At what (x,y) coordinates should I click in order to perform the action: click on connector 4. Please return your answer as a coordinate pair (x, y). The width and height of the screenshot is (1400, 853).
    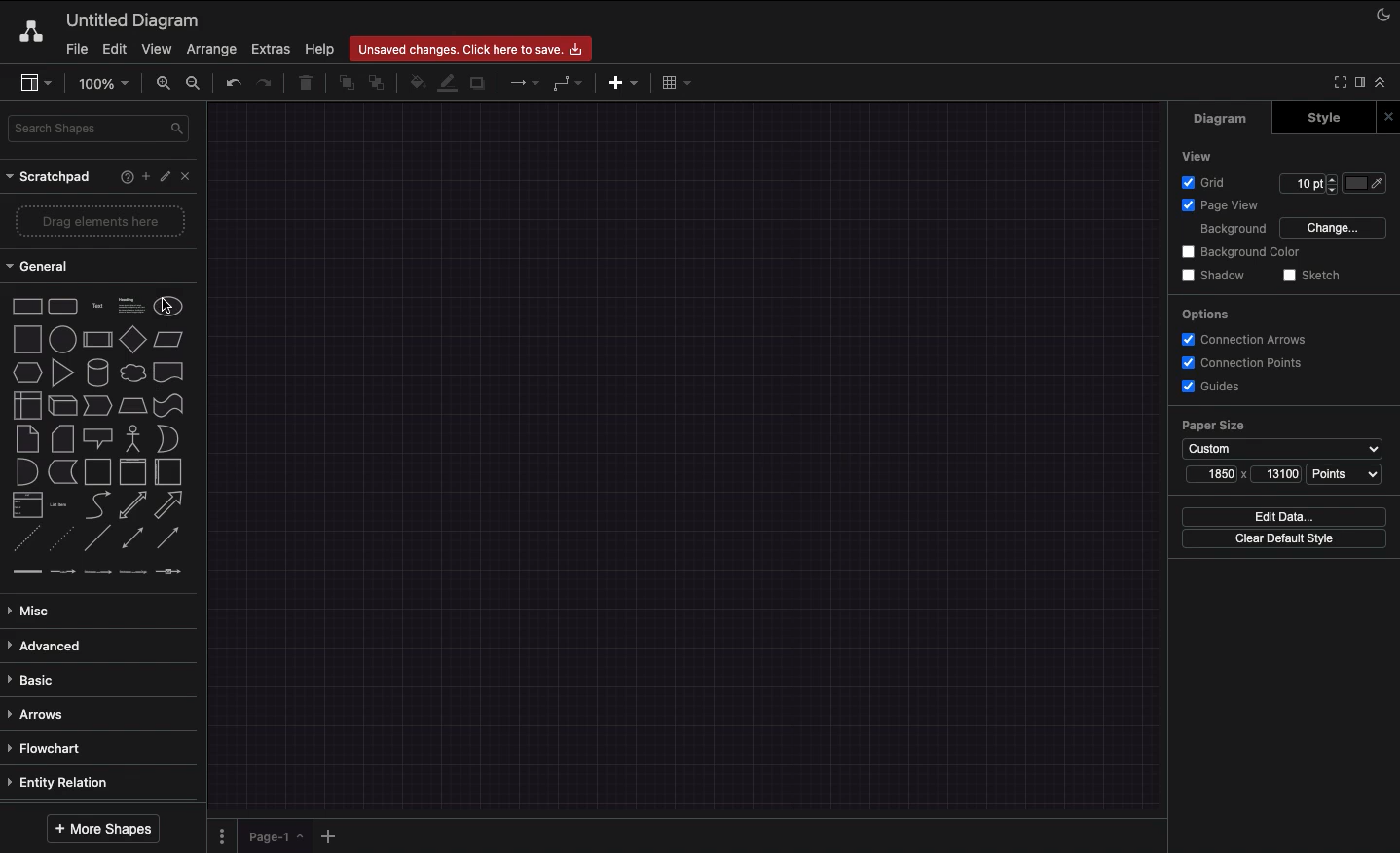
    Looking at the image, I should click on (134, 570).